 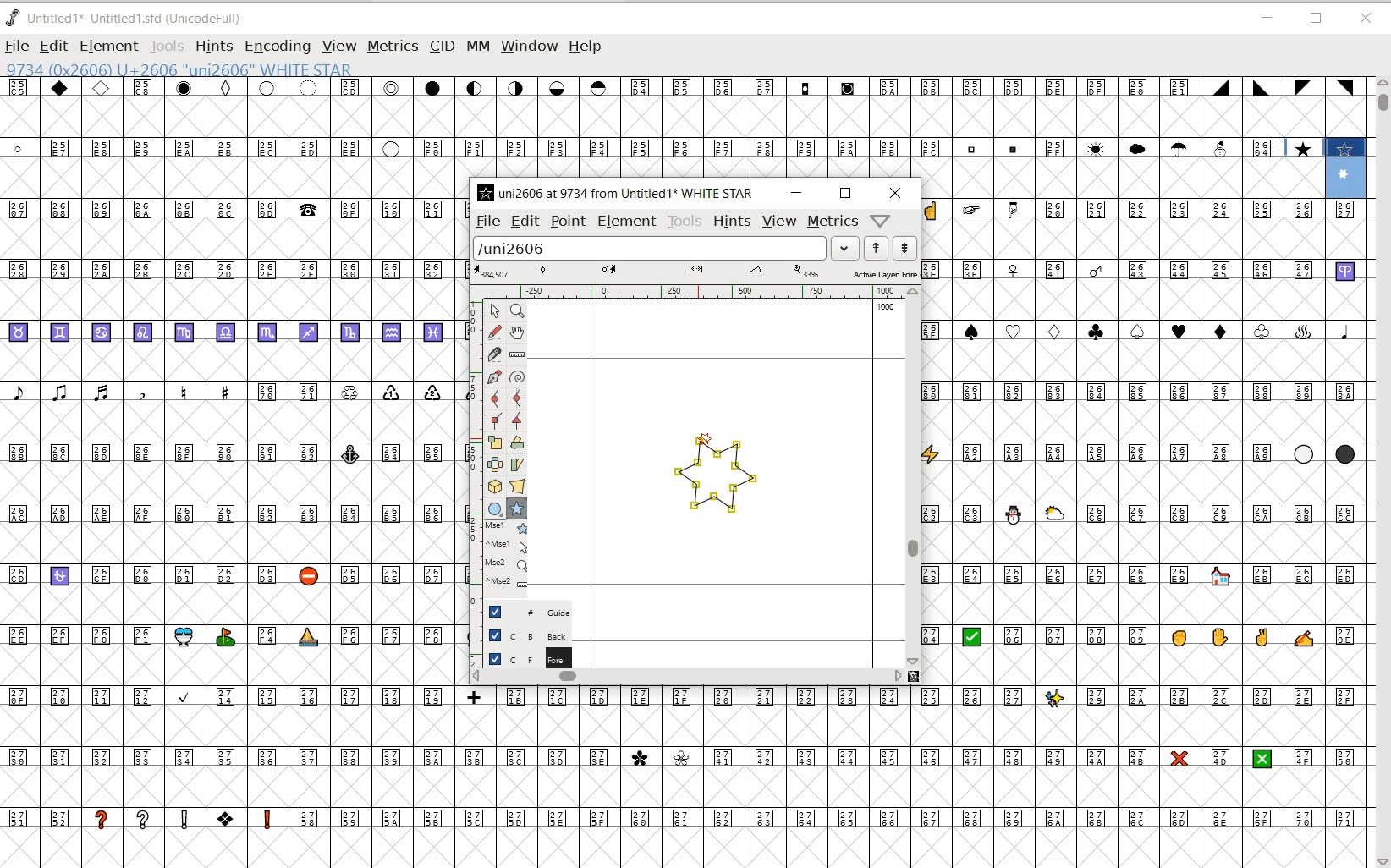 What do you see at coordinates (658, 127) in the screenshot?
I see `GLYPHY CHARACTERS & NUMBERS` at bounding box center [658, 127].